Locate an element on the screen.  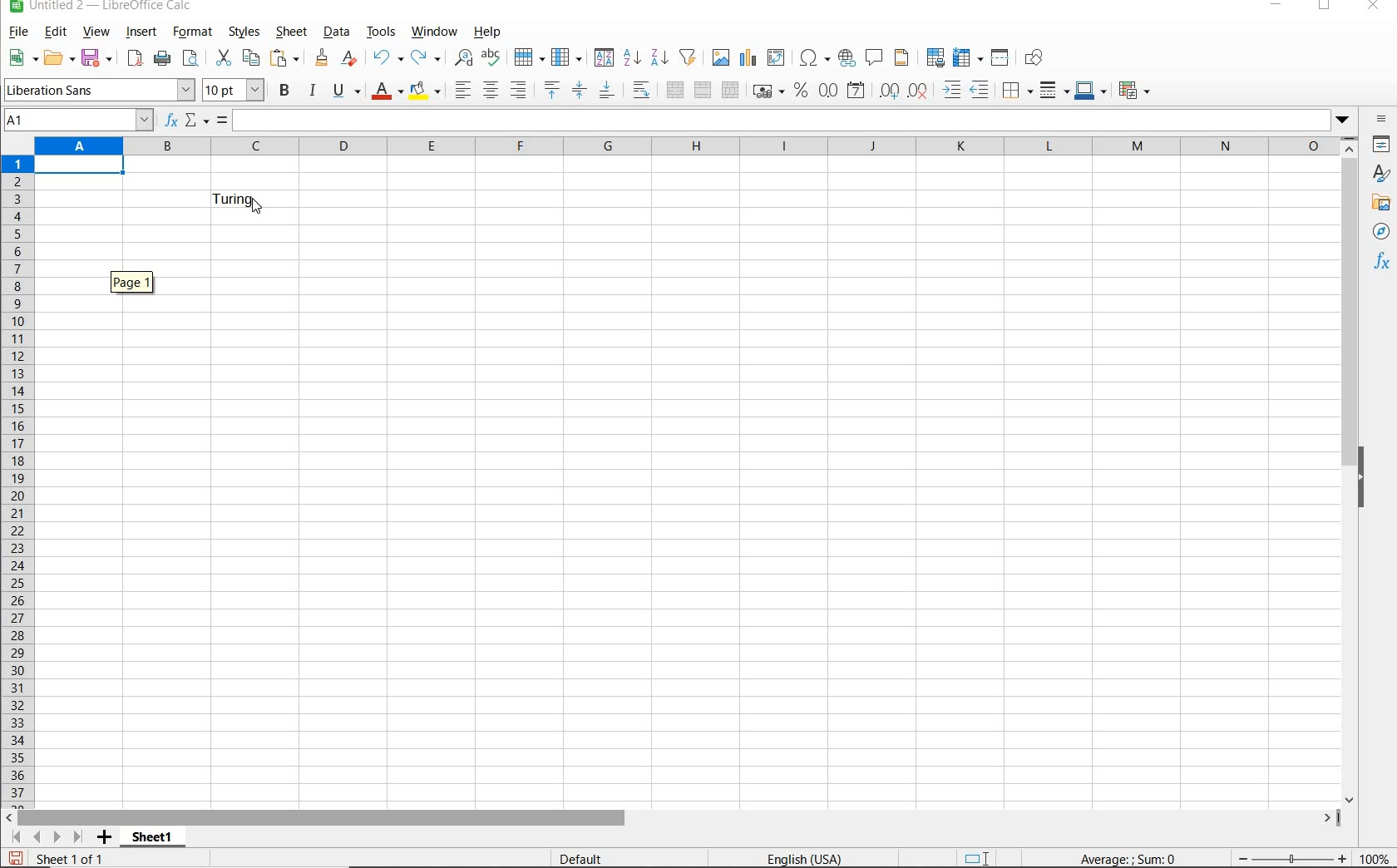
SORT is located at coordinates (602, 57).